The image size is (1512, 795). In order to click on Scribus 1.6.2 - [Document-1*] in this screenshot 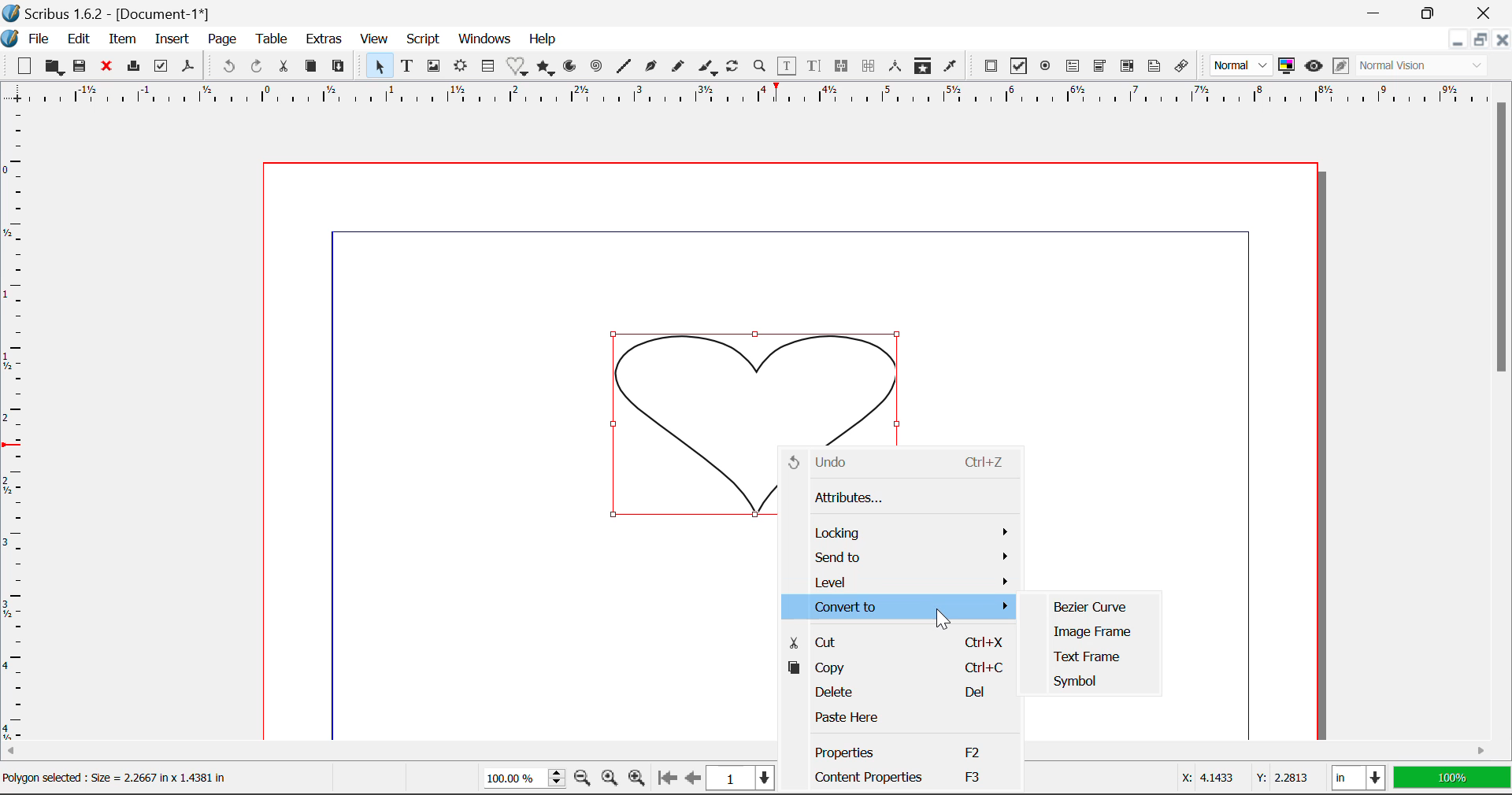, I will do `click(112, 14)`.